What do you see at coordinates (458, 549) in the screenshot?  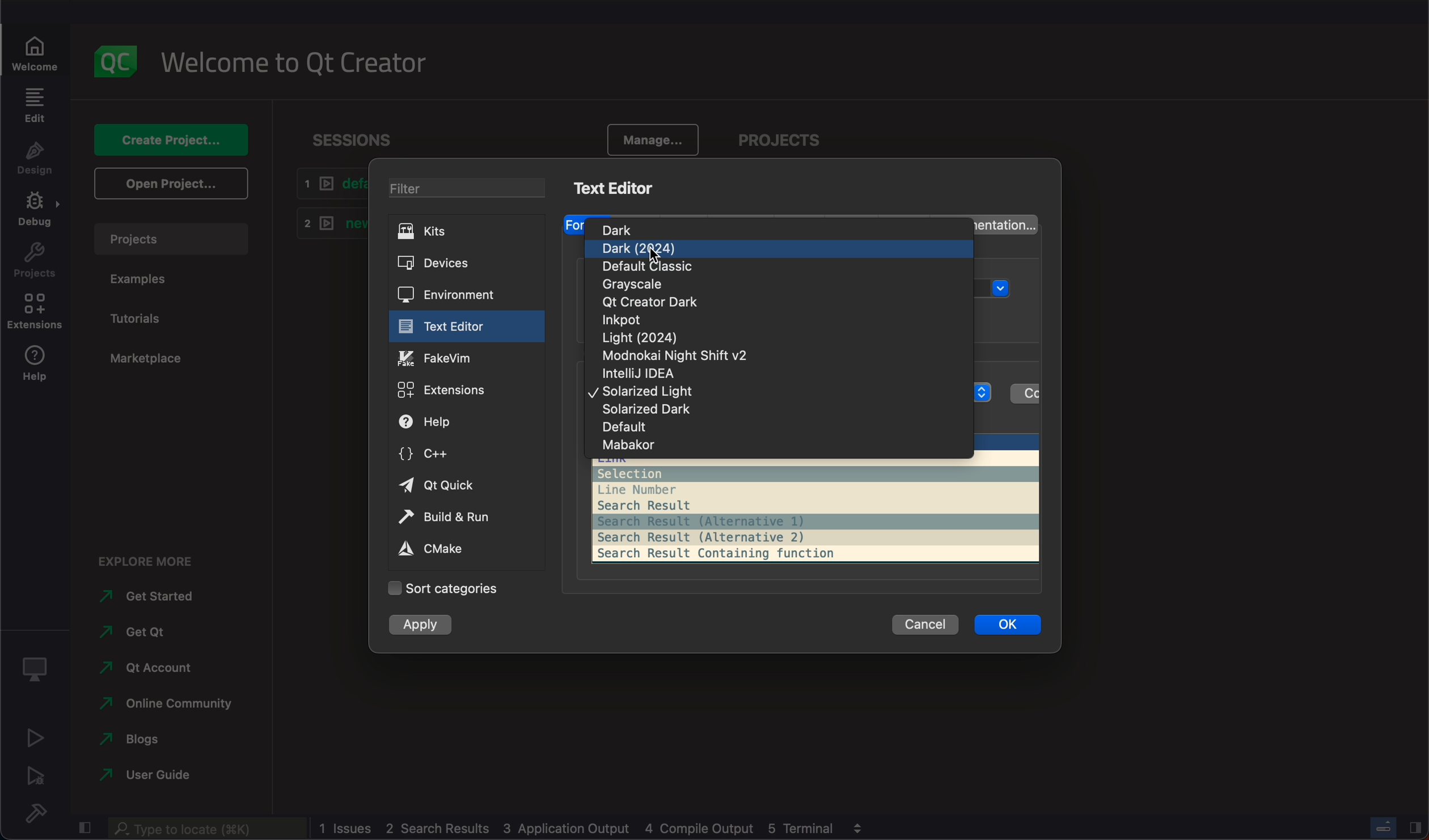 I see `cmake` at bounding box center [458, 549].